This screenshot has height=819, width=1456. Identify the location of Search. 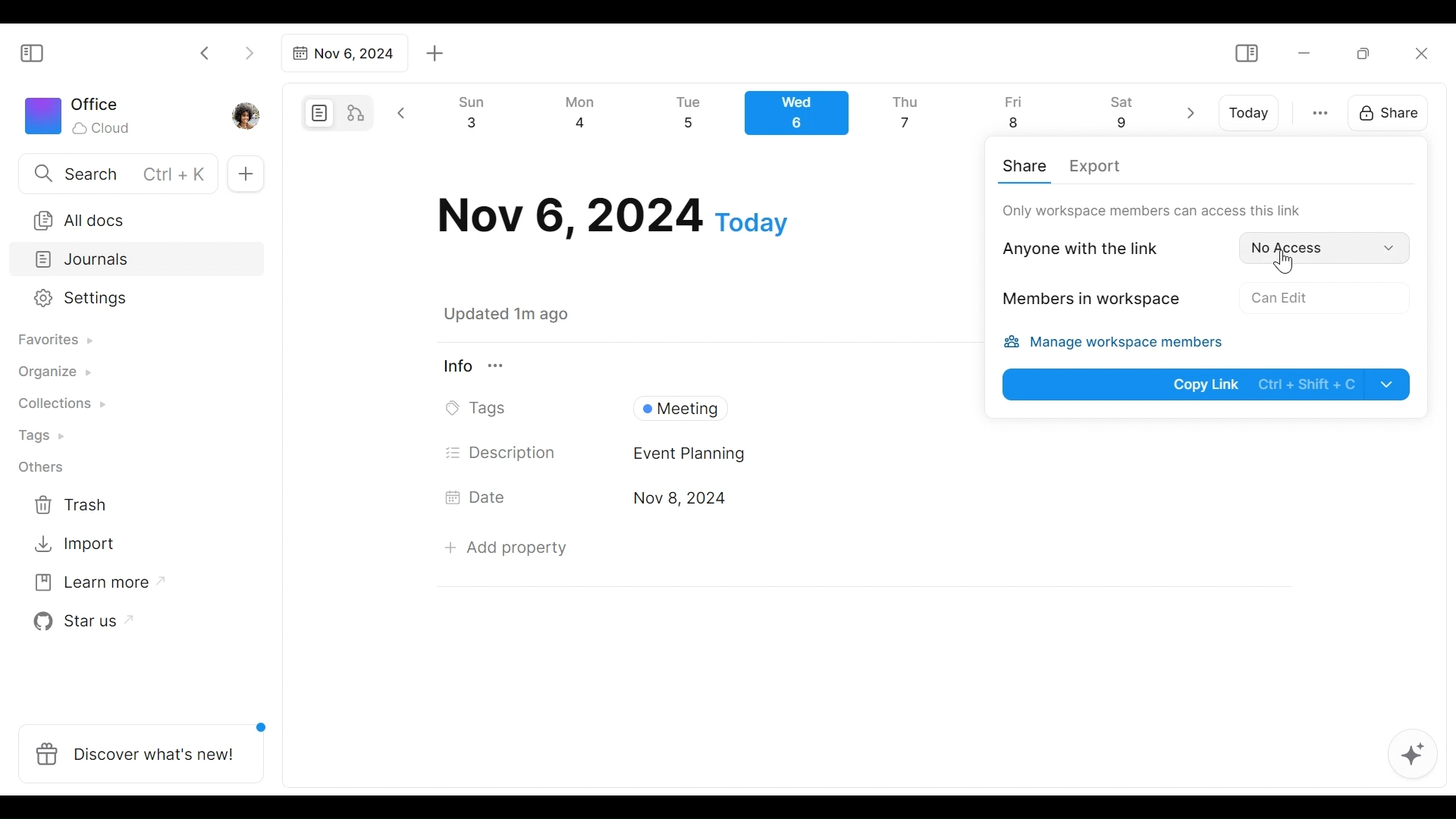
(116, 173).